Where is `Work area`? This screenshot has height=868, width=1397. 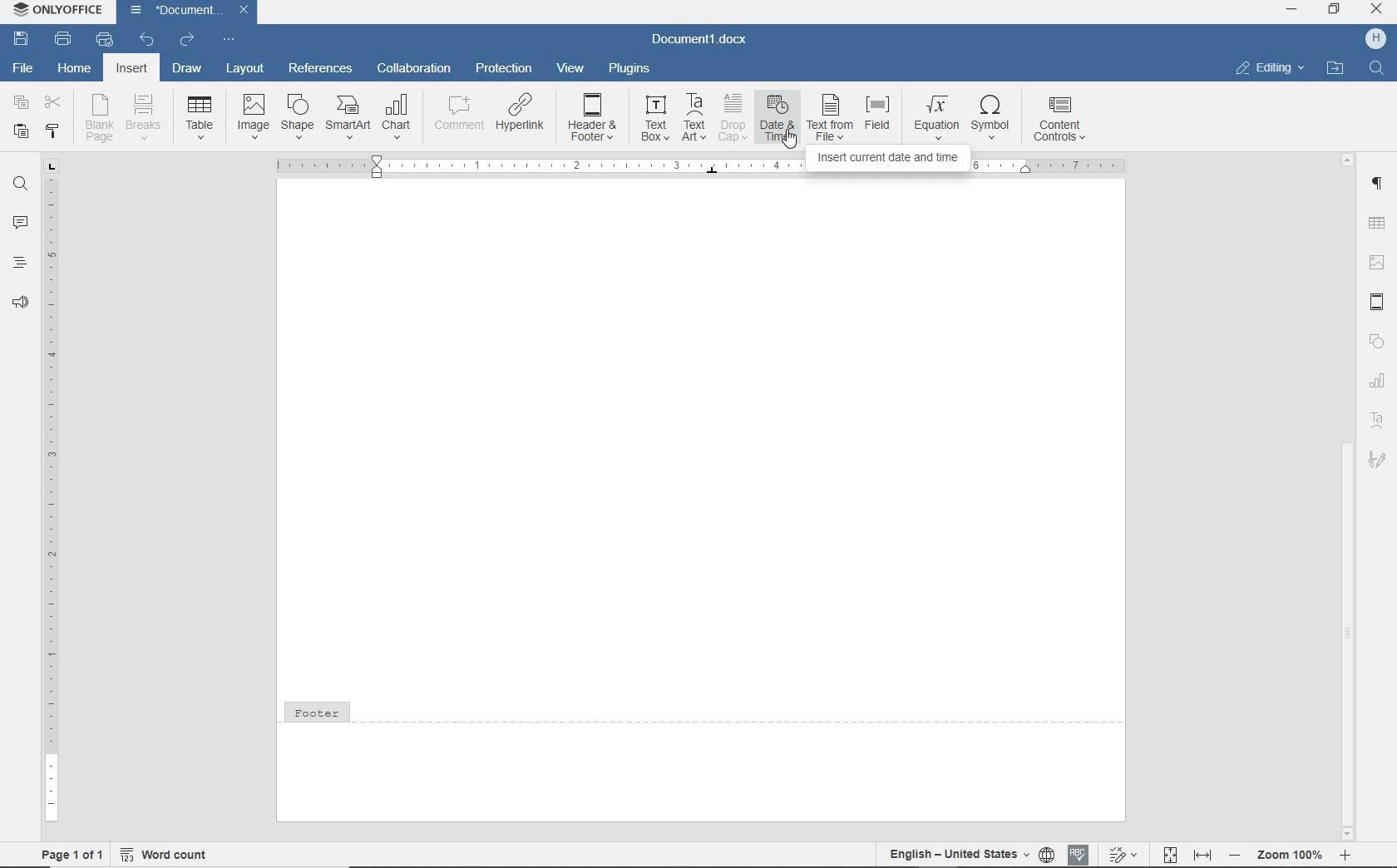
Work area is located at coordinates (701, 440).